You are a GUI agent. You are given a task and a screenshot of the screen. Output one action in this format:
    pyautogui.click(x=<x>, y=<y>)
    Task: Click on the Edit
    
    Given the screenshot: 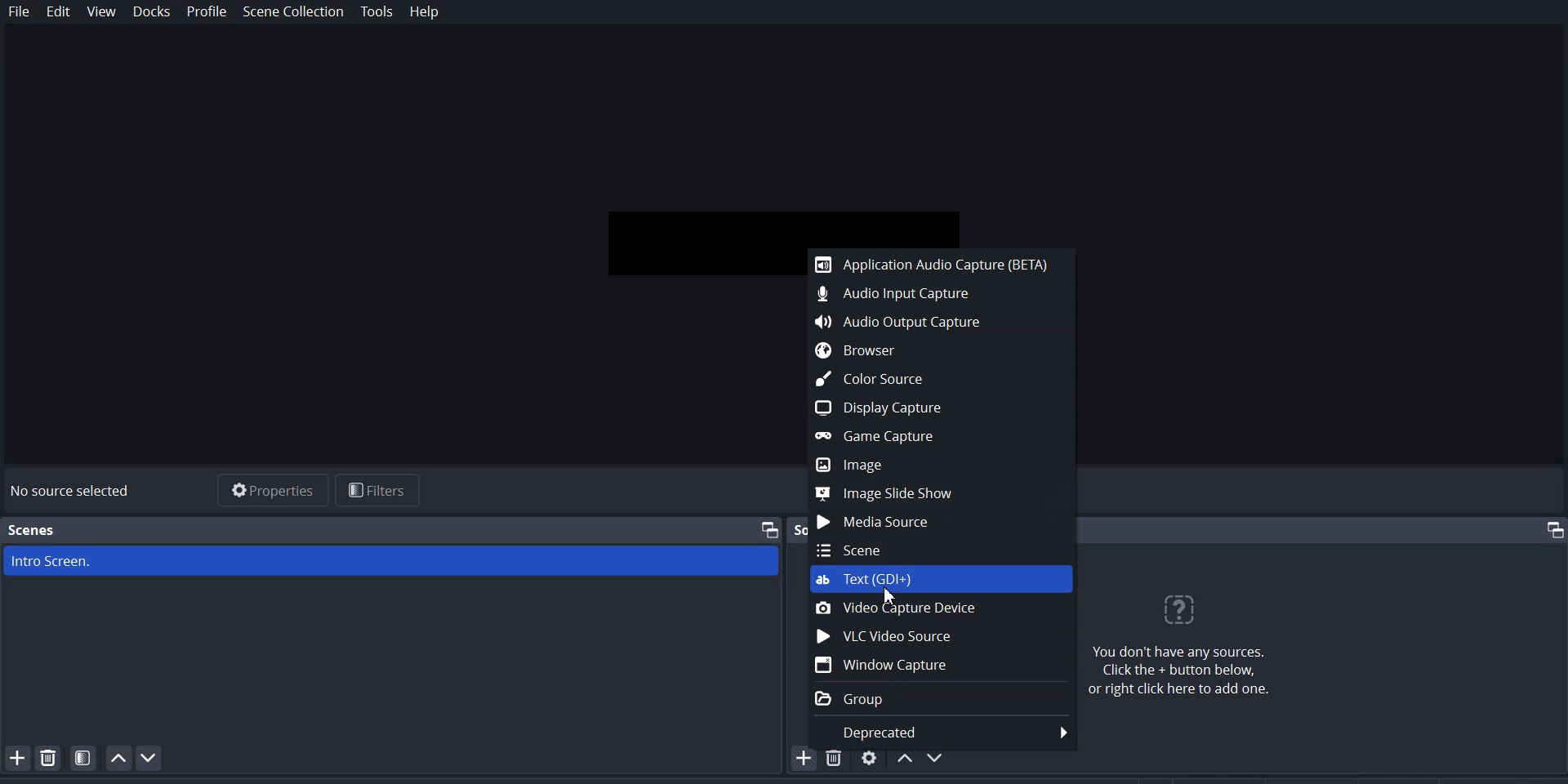 What is the action you would take?
    pyautogui.click(x=59, y=13)
    